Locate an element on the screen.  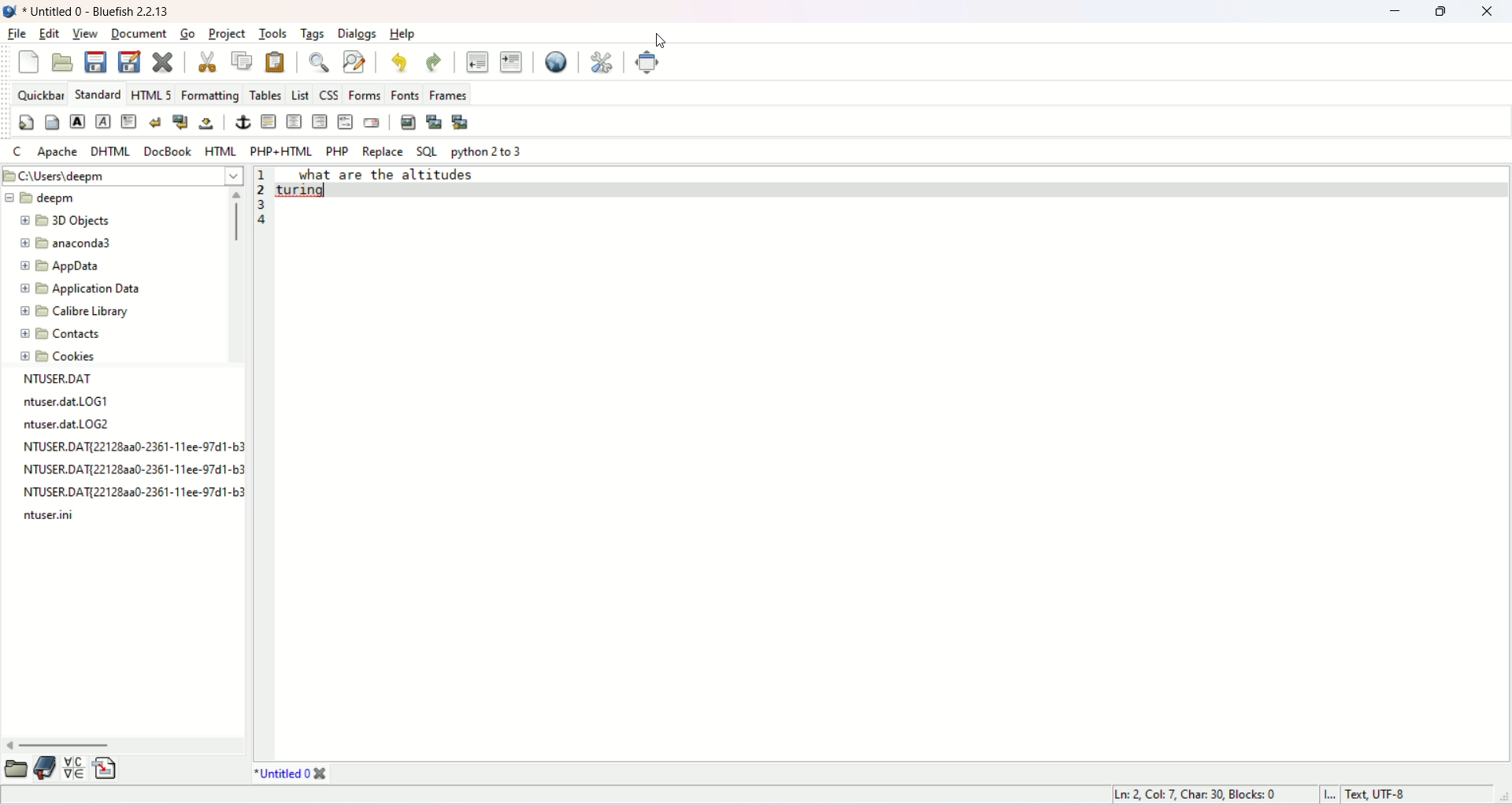
minimize is located at coordinates (1395, 13).